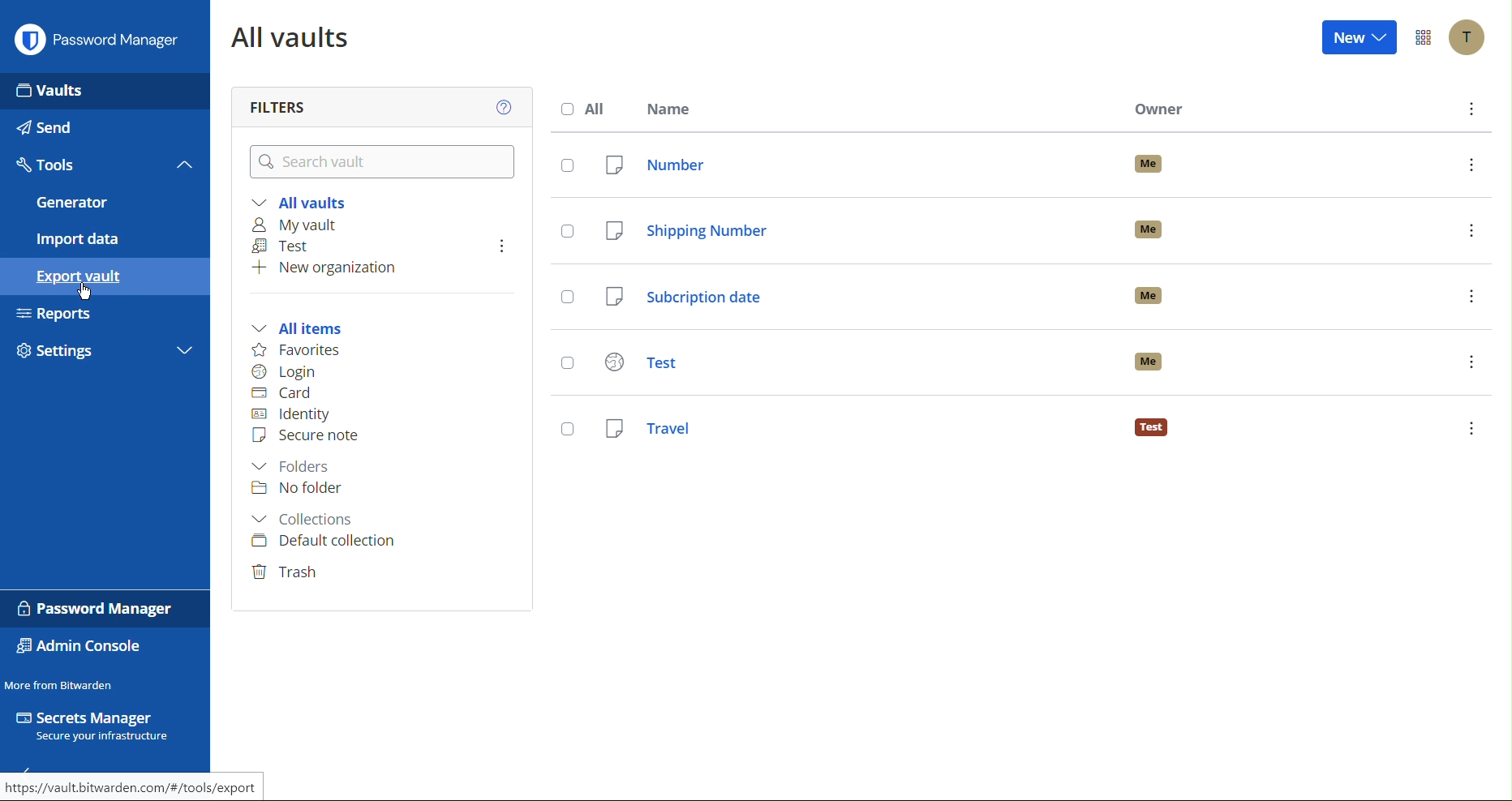  What do you see at coordinates (1471, 230) in the screenshot?
I see `options` at bounding box center [1471, 230].